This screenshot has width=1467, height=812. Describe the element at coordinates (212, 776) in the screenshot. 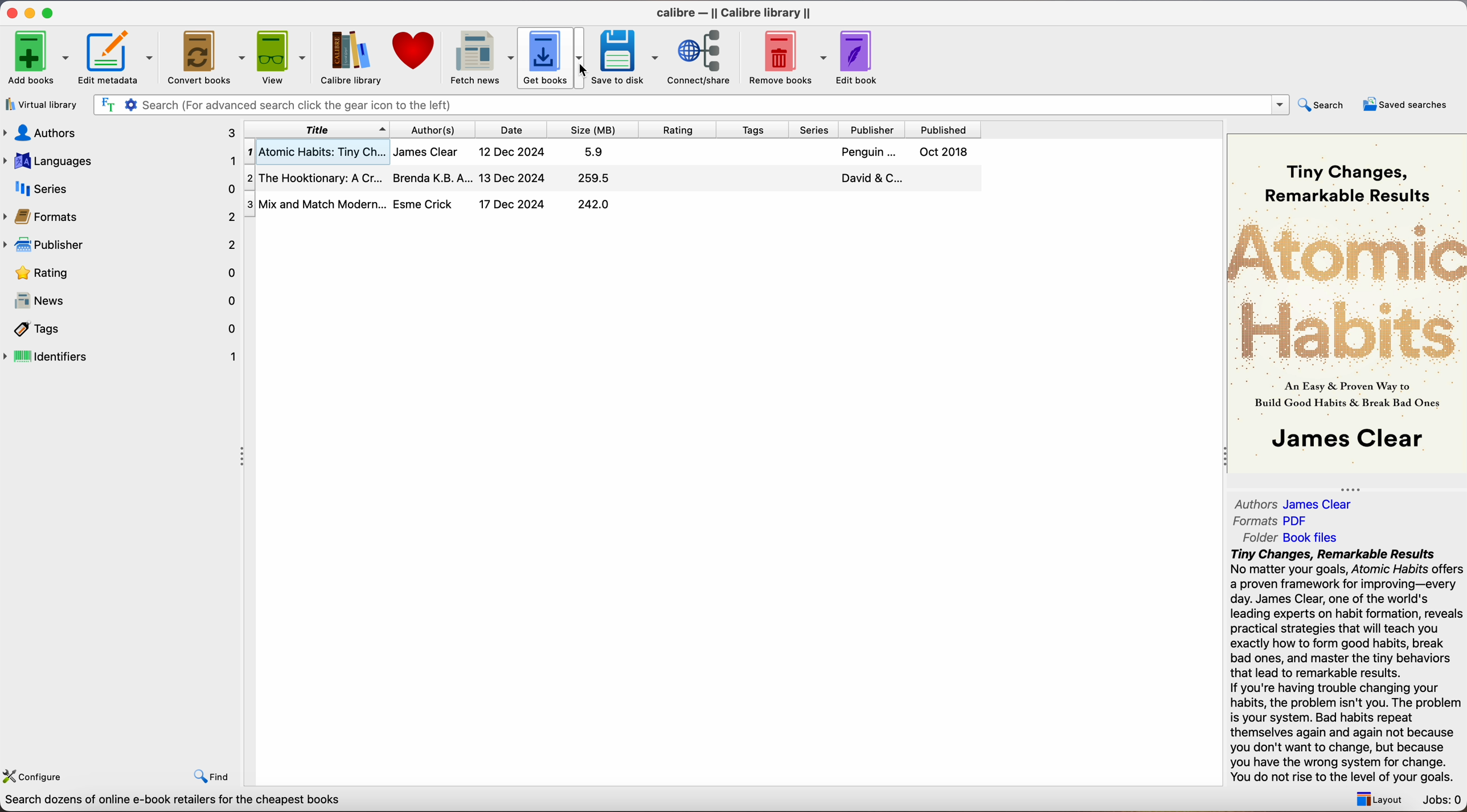

I see `find` at that location.